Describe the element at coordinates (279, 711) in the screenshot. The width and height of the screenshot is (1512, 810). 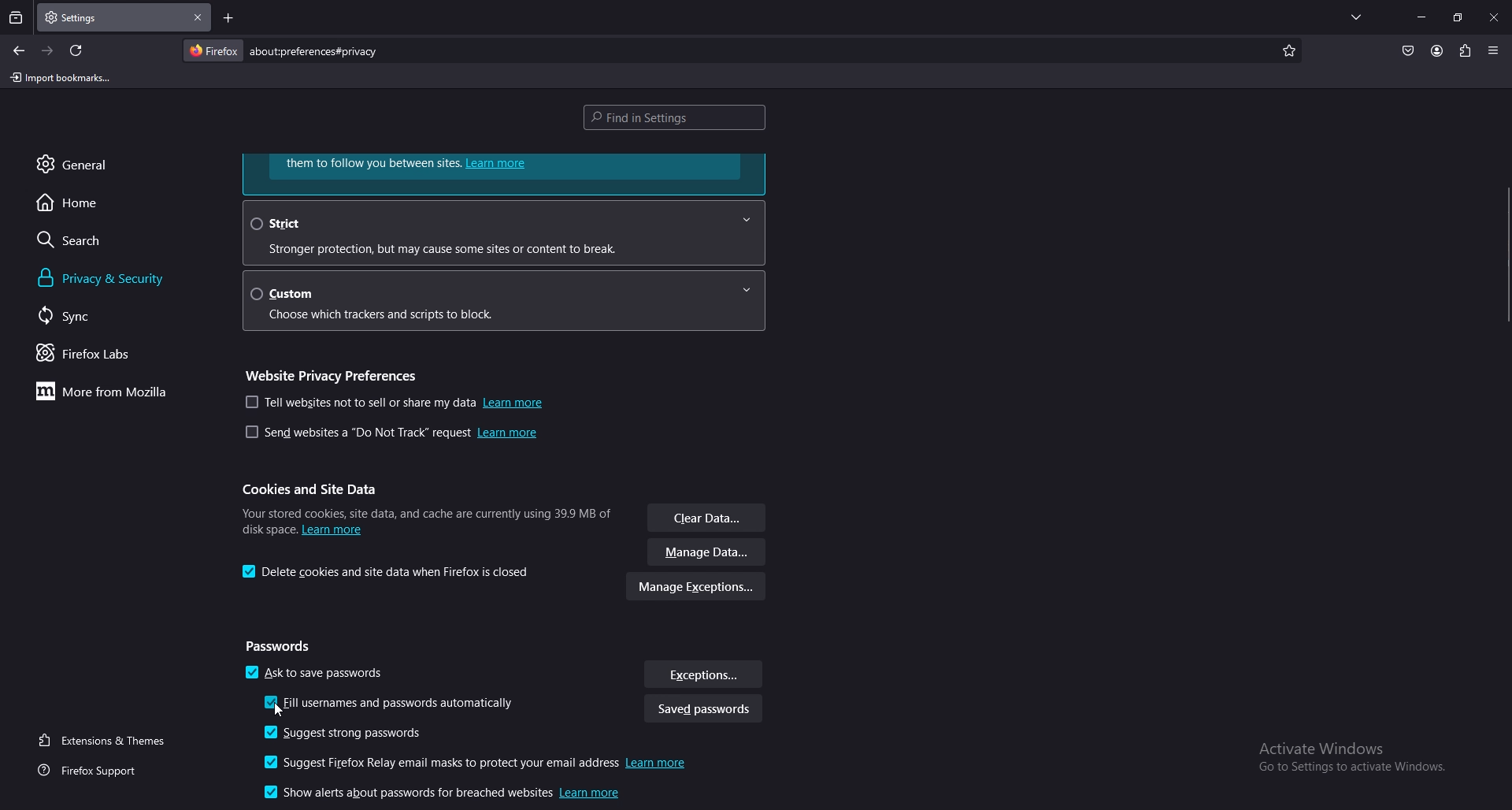
I see `cursor` at that location.